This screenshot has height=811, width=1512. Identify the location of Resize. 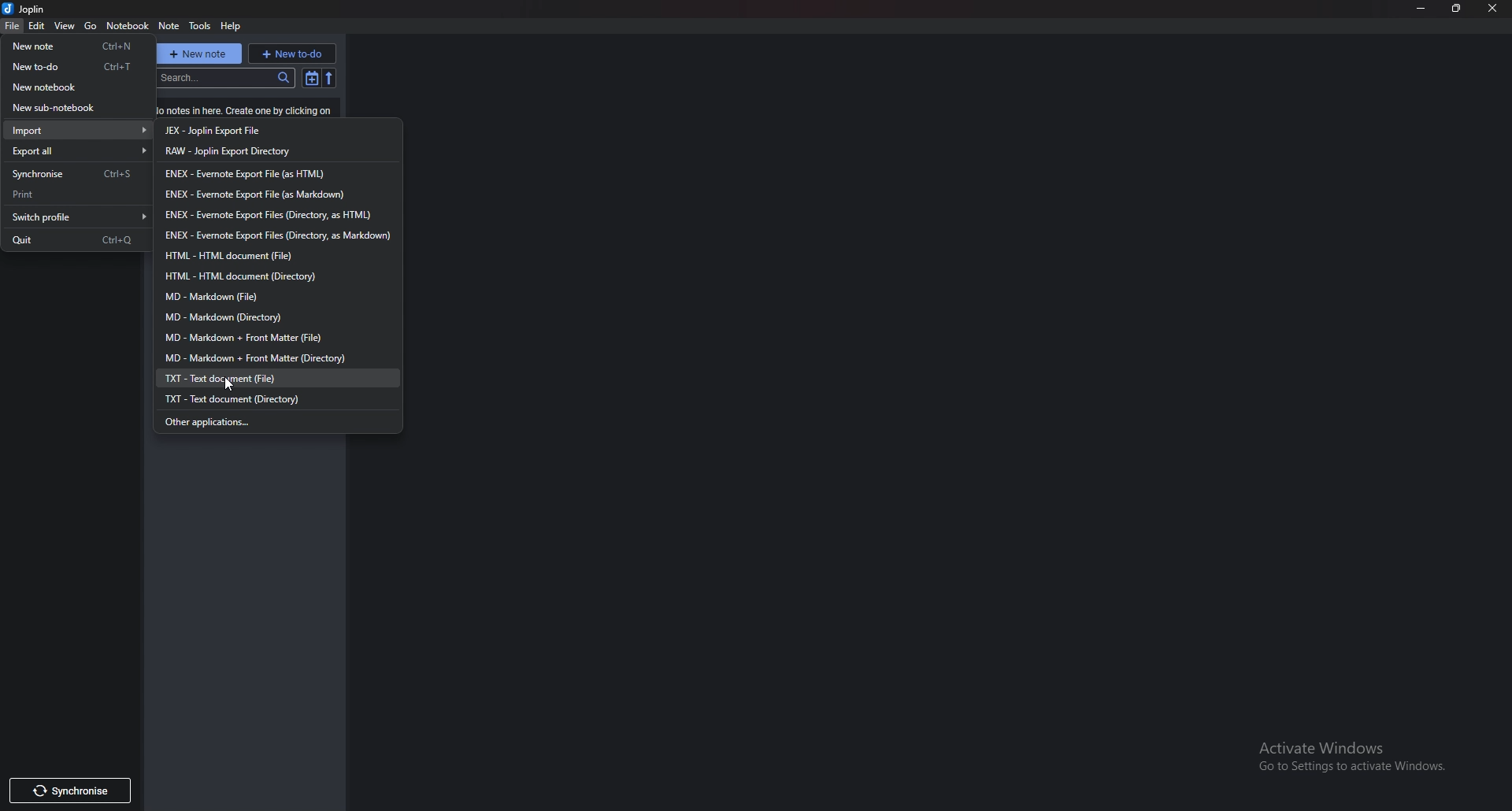
(1459, 8).